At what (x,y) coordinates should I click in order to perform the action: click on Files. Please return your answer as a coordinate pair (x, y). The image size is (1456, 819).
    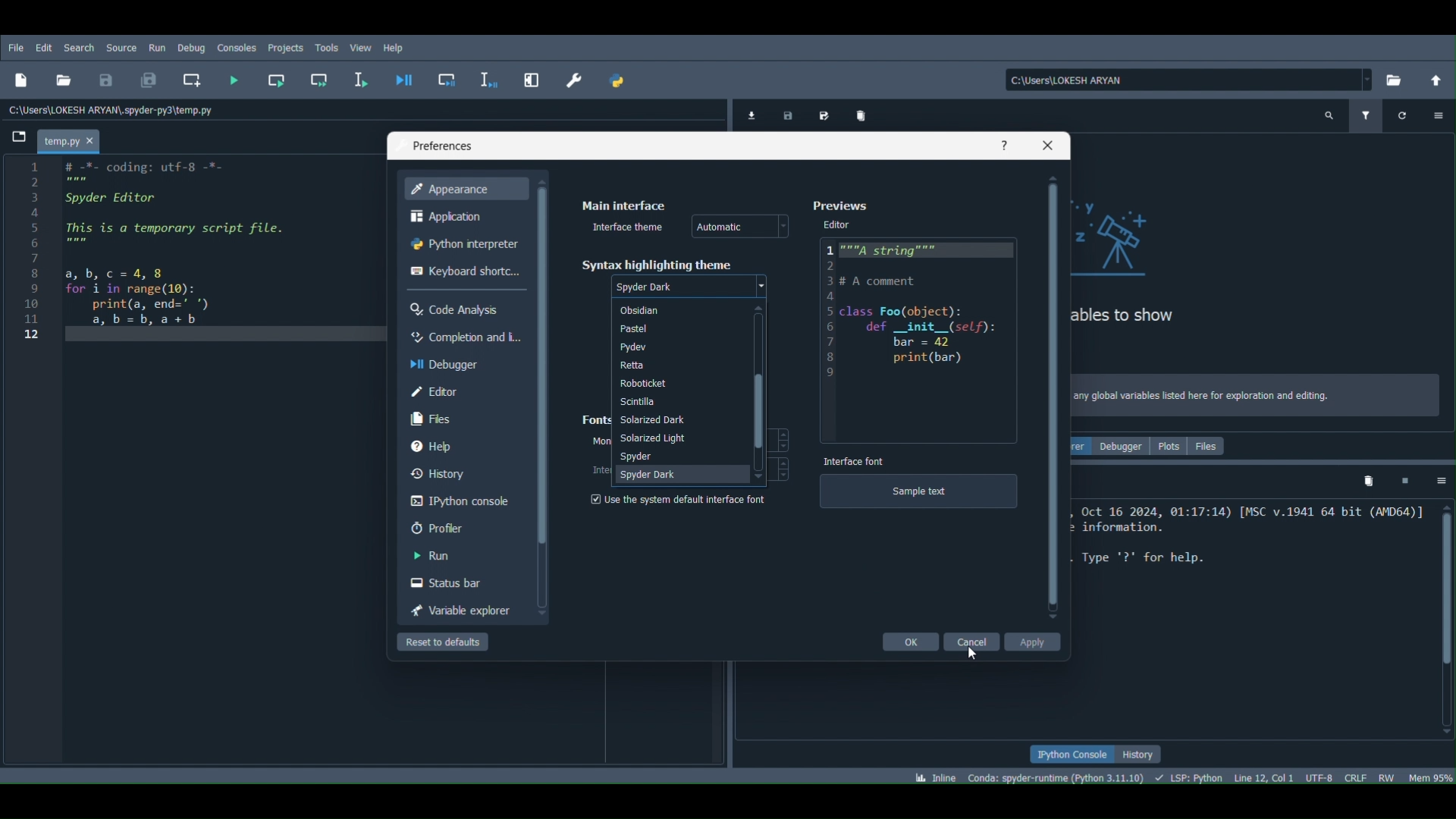
    Looking at the image, I should click on (464, 419).